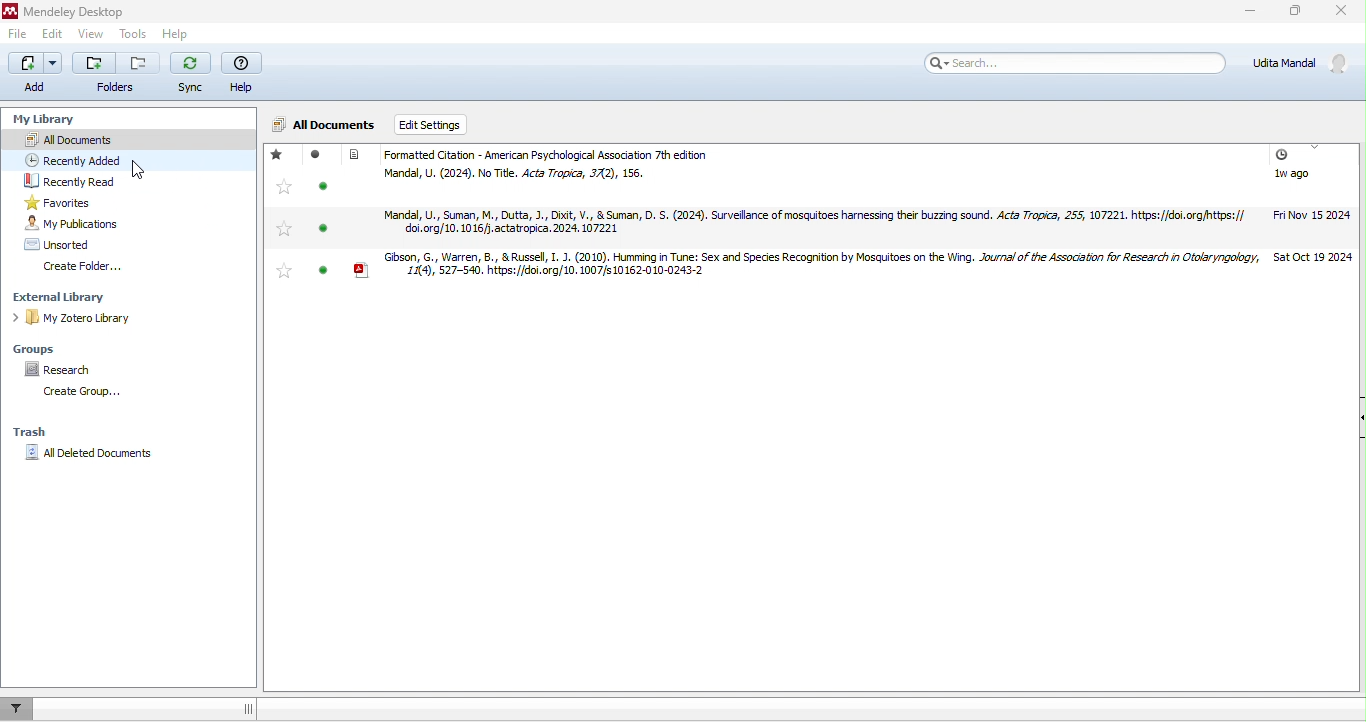 Image resolution: width=1366 pixels, height=722 pixels. Describe the element at coordinates (178, 34) in the screenshot. I see `help` at that location.